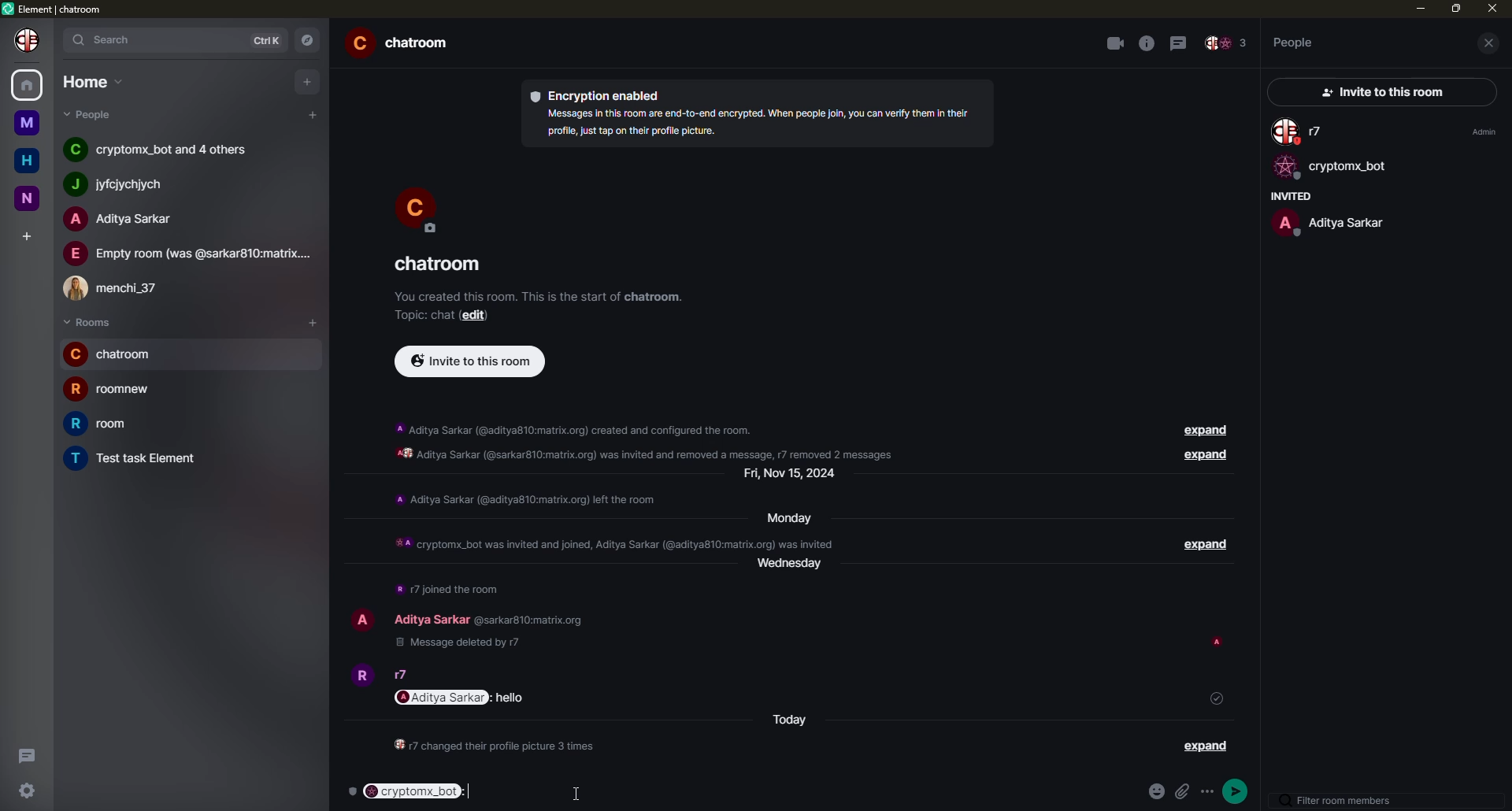 This screenshot has width=1512, height=811. What do you see at coordinates (309, 80) in the screenshot?
I see `add` at bounding box center [309, 80].